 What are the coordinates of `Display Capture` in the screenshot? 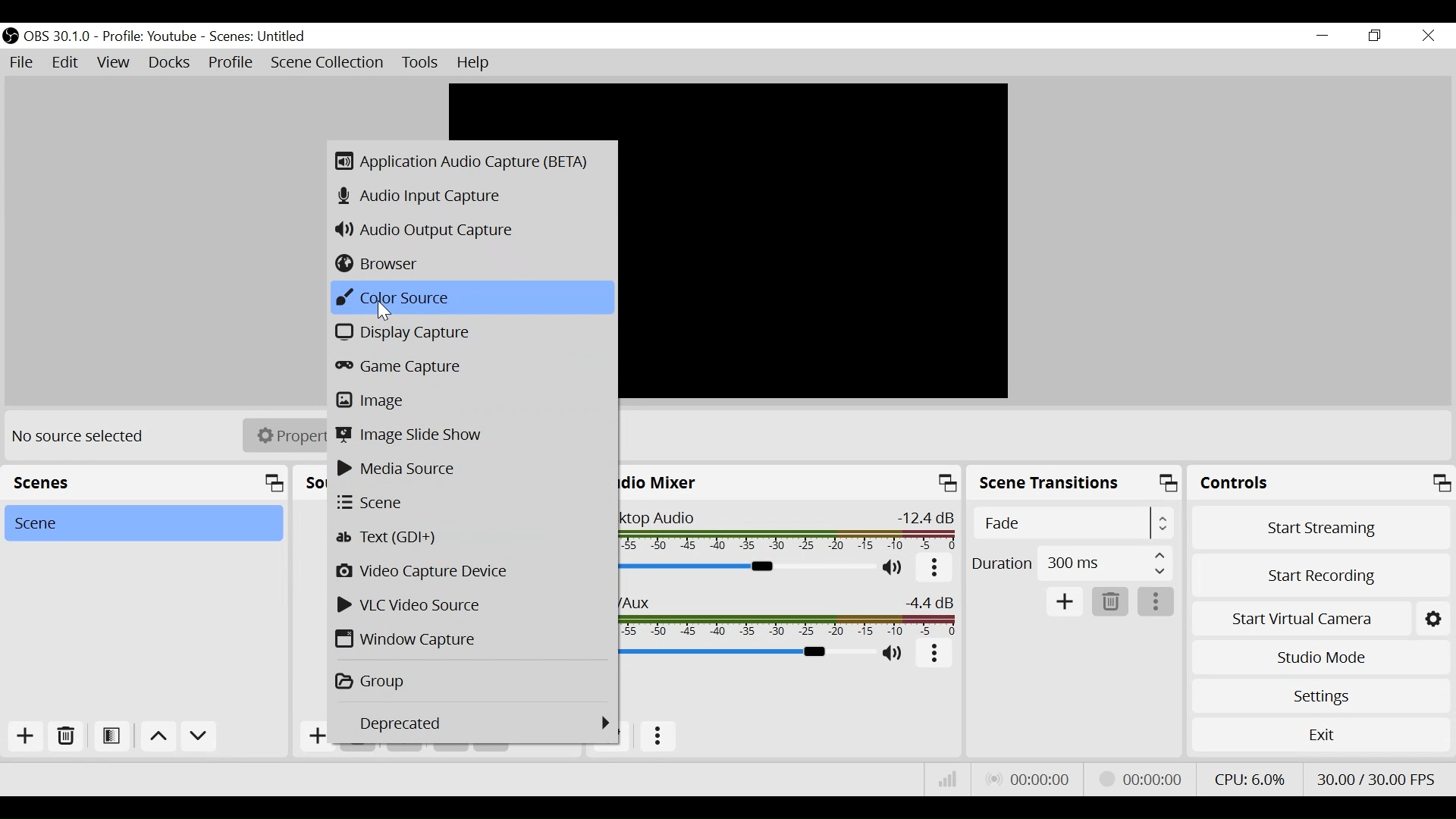 It's located at (469, 332).